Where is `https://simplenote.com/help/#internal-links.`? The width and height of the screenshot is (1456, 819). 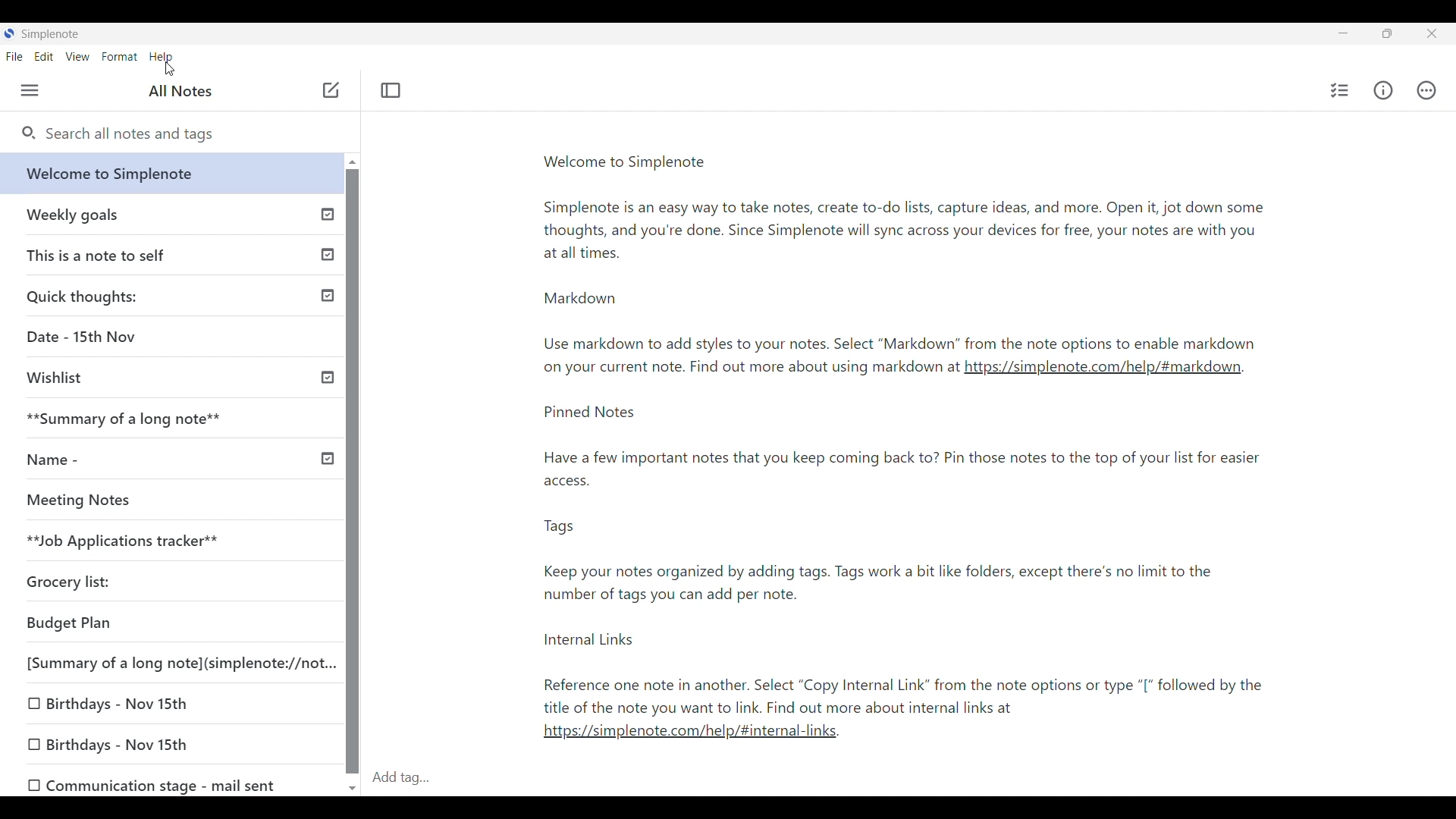 https://simplenote.com/help/#internal-links. is located at coordinates (693, 733).